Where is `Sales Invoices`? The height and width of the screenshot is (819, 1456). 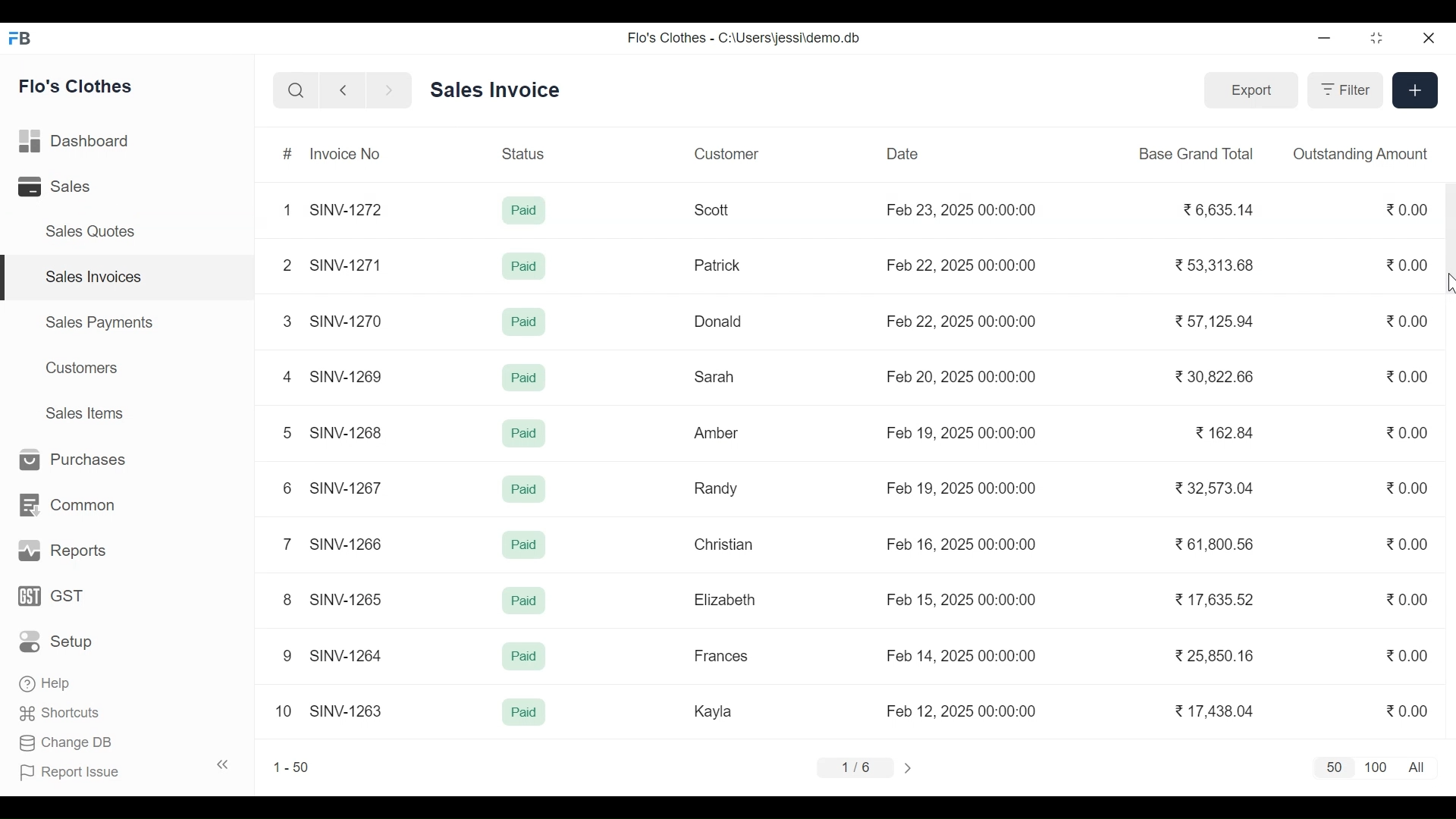
Sales Invoices is located at coordinates (133, 278).